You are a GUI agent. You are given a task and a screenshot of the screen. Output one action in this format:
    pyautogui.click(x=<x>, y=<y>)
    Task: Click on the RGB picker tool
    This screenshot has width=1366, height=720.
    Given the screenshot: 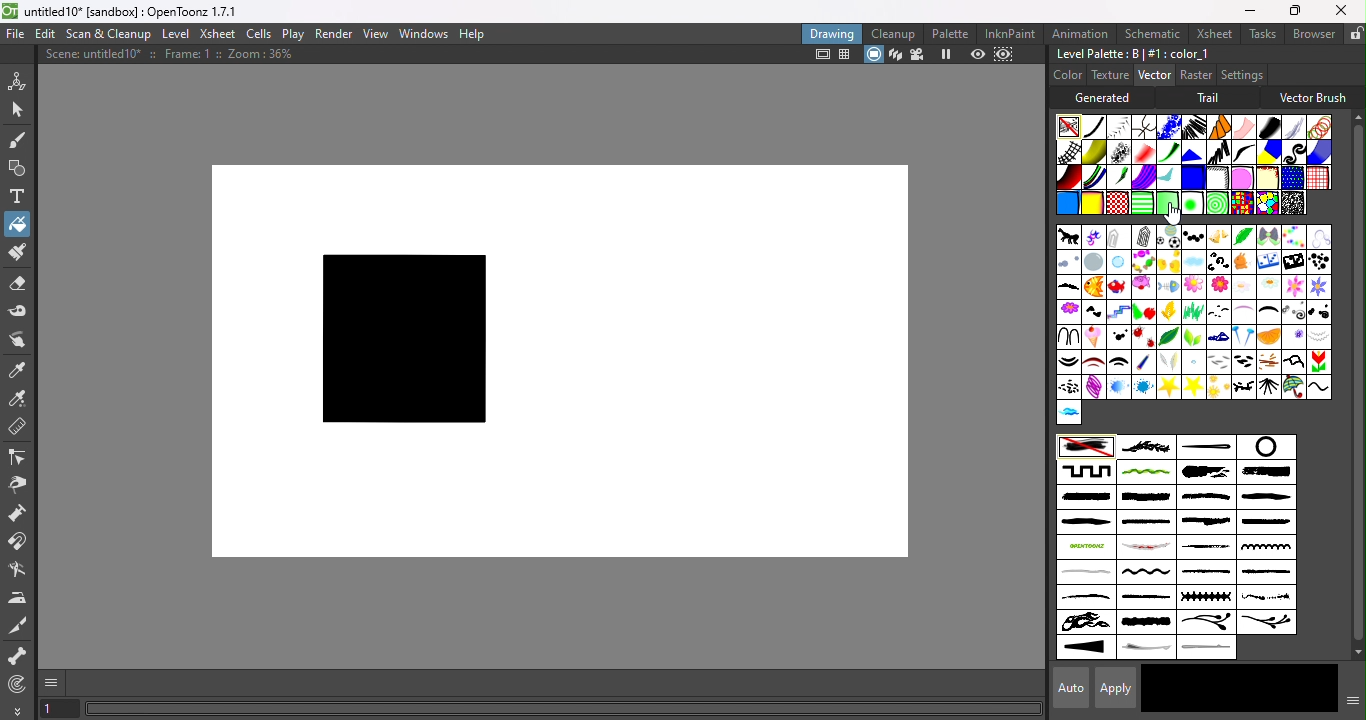 What is the action you would take?
    pyautogui.click(x=18, y=398)
    